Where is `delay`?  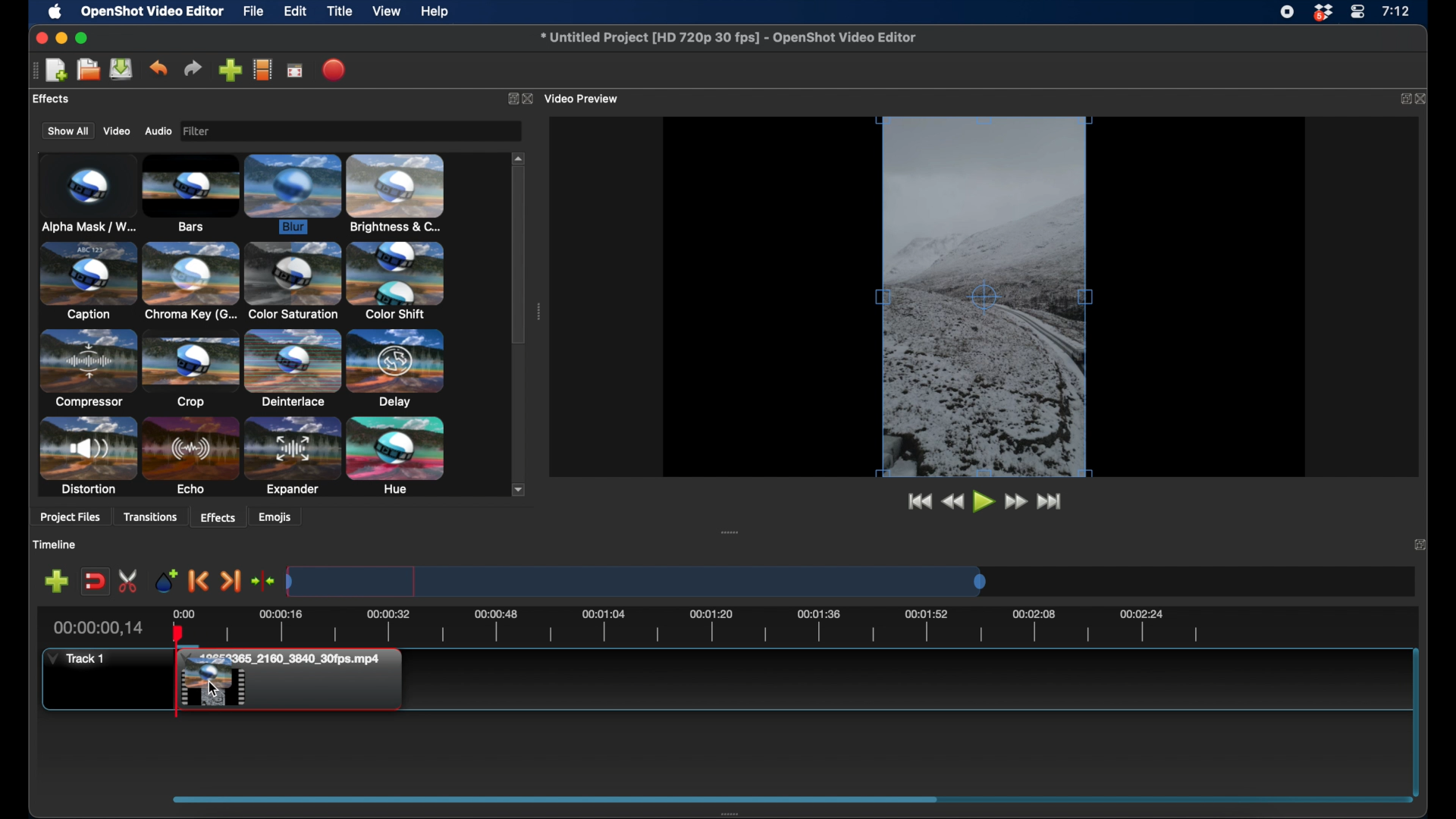 delay is located at coordinates (396, 368).